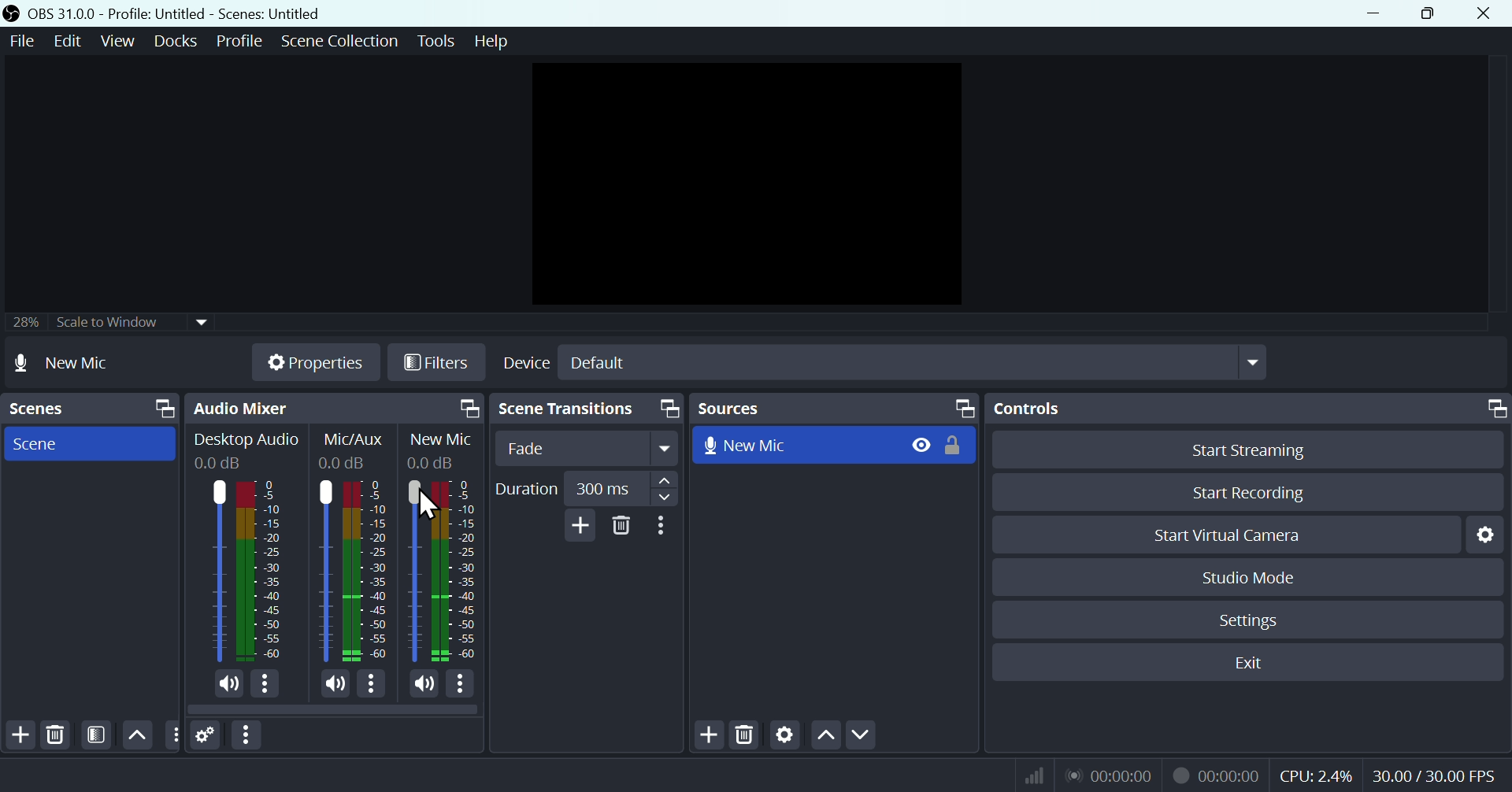  What do you see at coordinates (239, 41) in the screenshot?
I see `Profile` at bounding box center [239, 41].